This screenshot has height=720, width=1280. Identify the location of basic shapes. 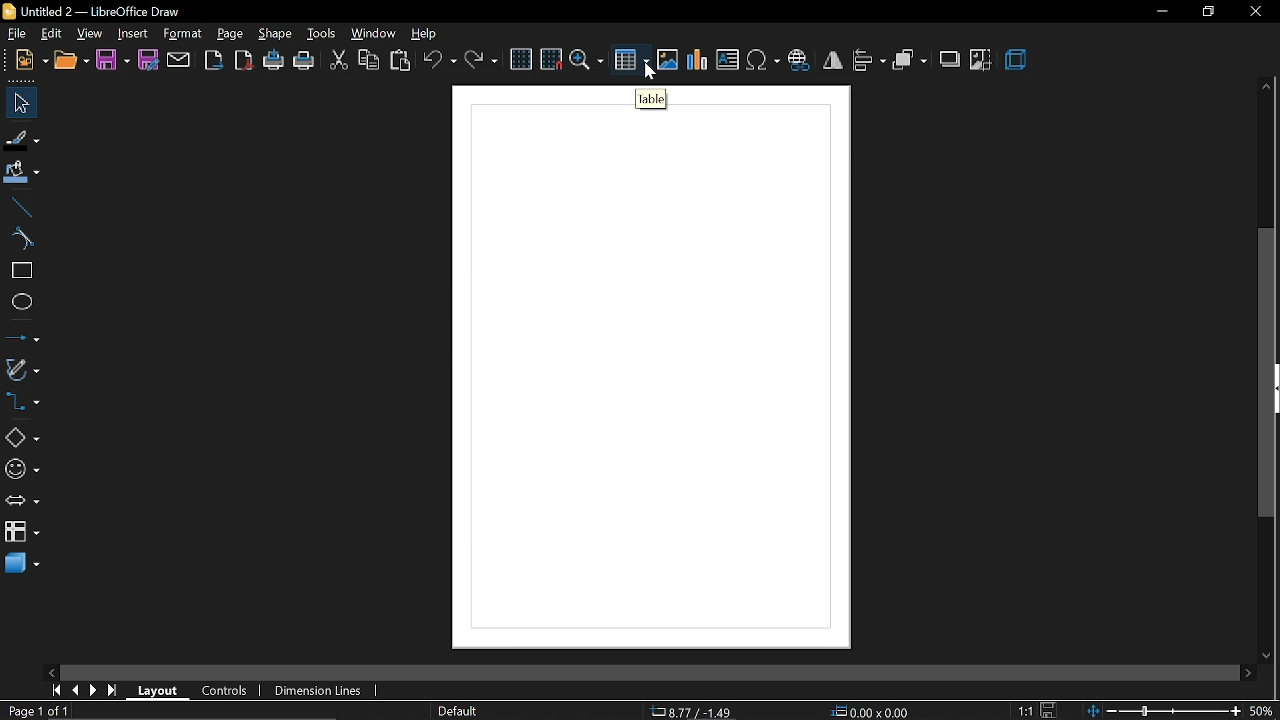
(22, 438).